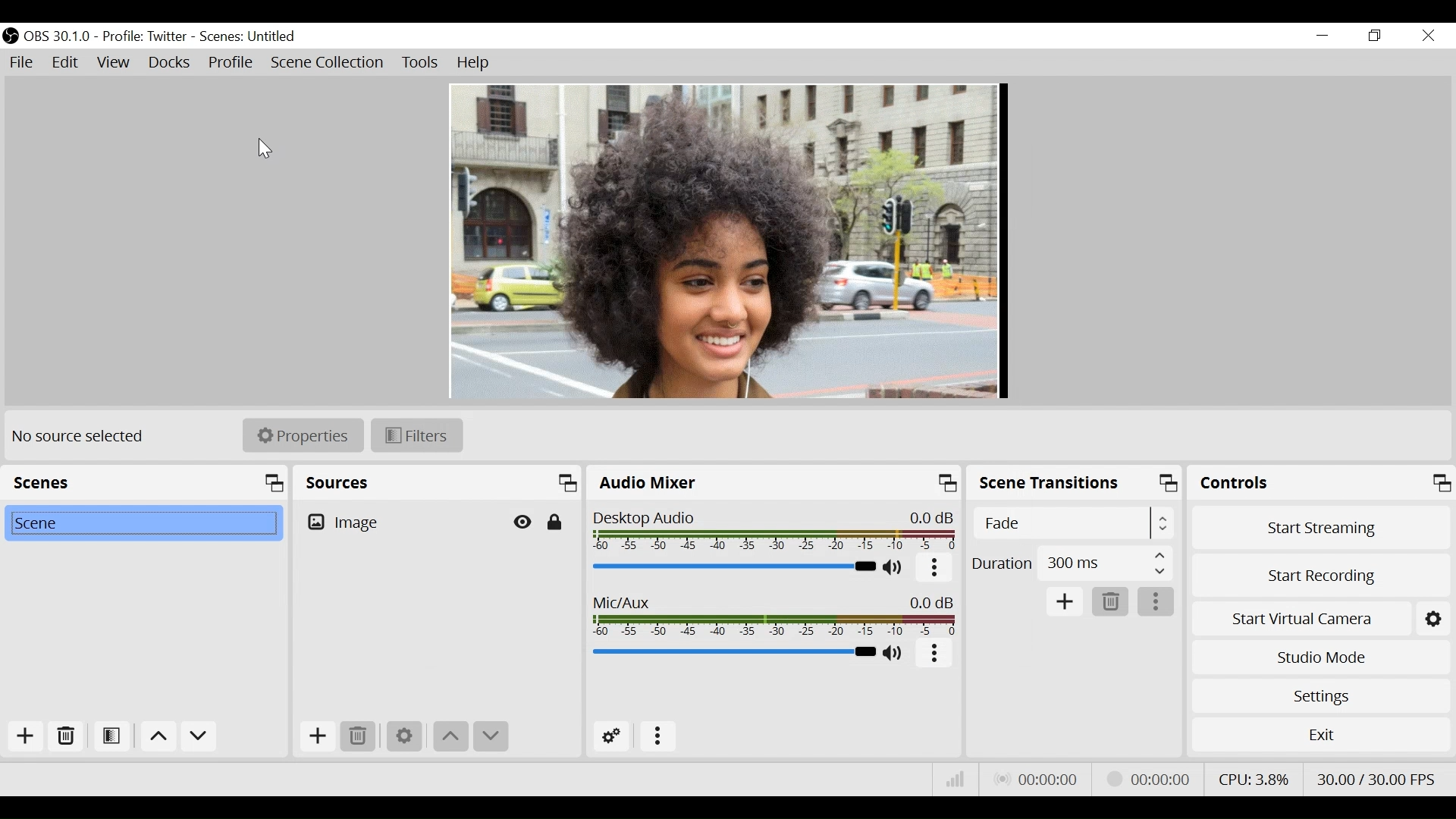 This screenshot has height=819, width=1456. Describe the element at coordinates (734, 567) in the screenshot. I see `Desktop Audio Slider` at that location.